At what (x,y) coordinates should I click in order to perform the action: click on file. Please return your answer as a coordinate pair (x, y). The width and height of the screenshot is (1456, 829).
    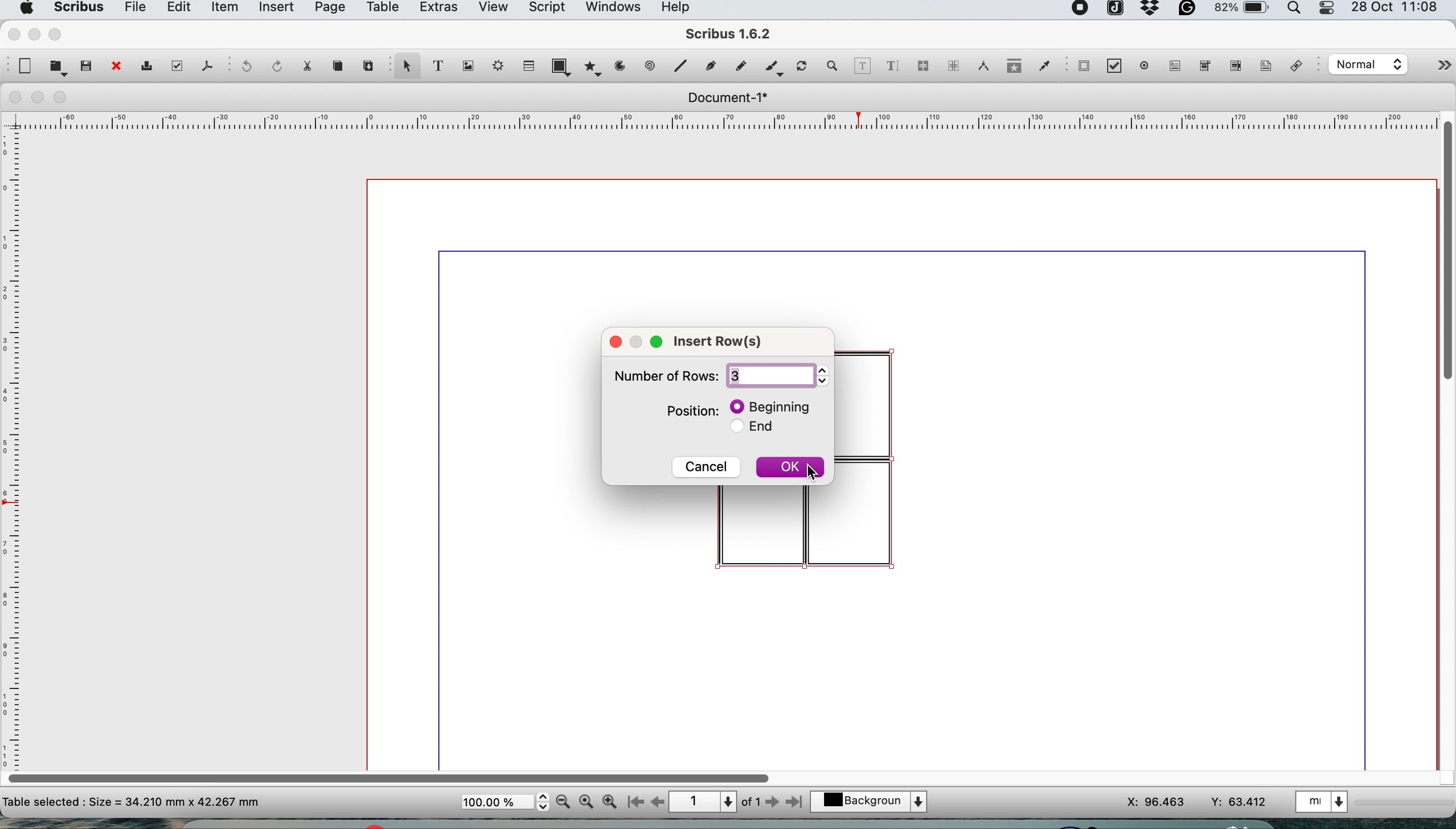
    Looking at the image, I should click on (133, 10).